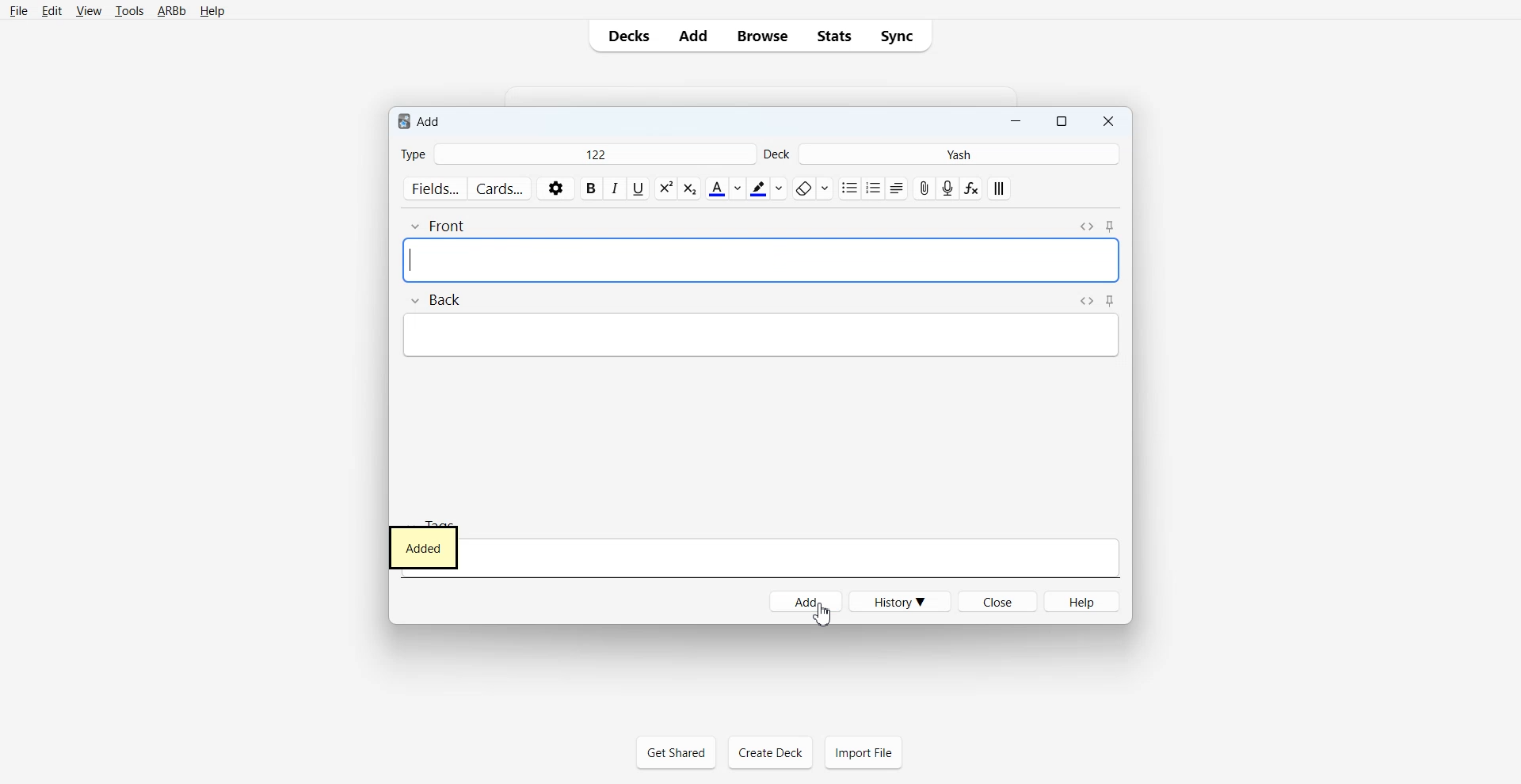 The image size is (1521, 784). I want to click on Import File, so click(863, 752).